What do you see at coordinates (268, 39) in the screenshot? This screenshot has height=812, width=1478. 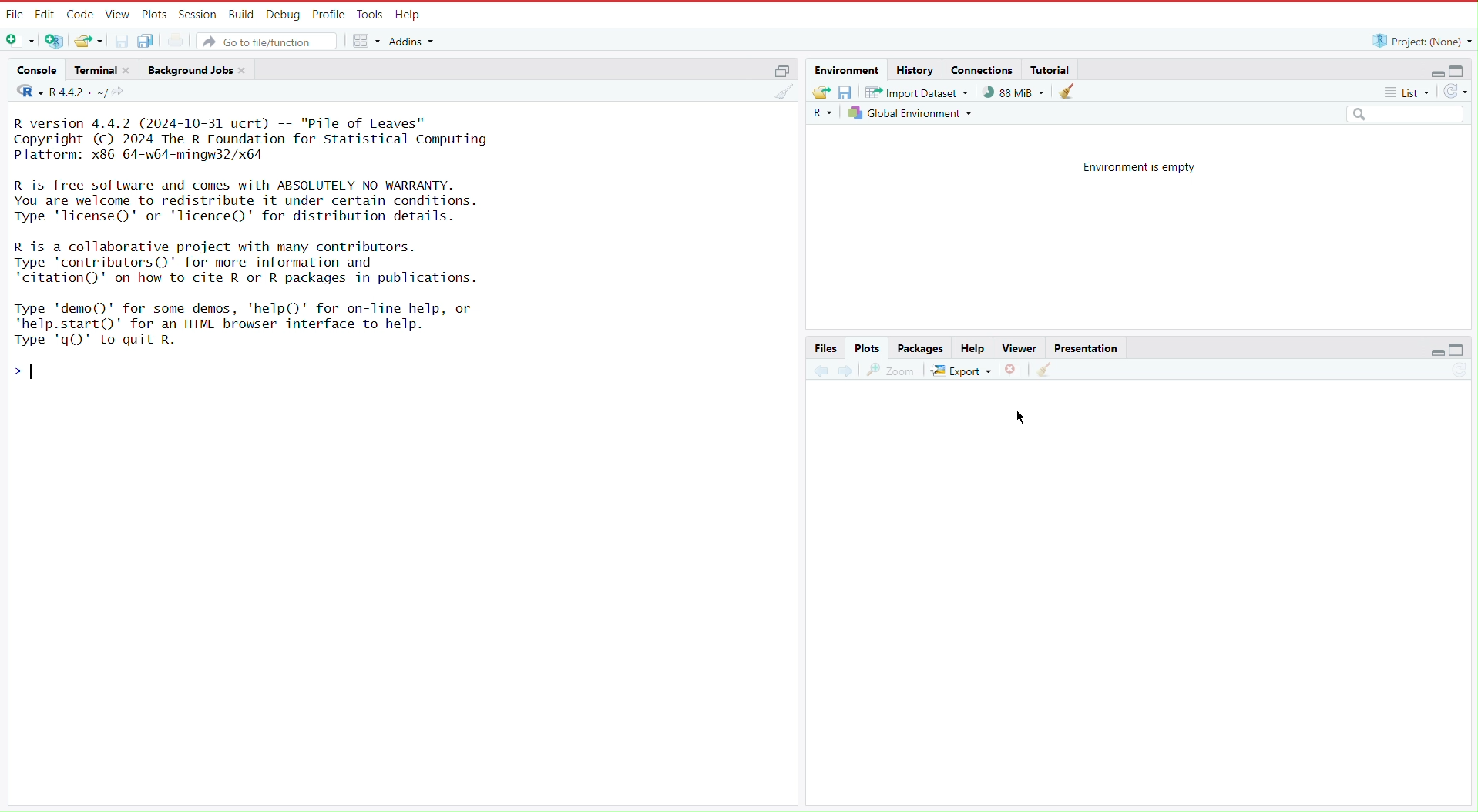 I see `Go to file/function` at bounding box center [268, 39].